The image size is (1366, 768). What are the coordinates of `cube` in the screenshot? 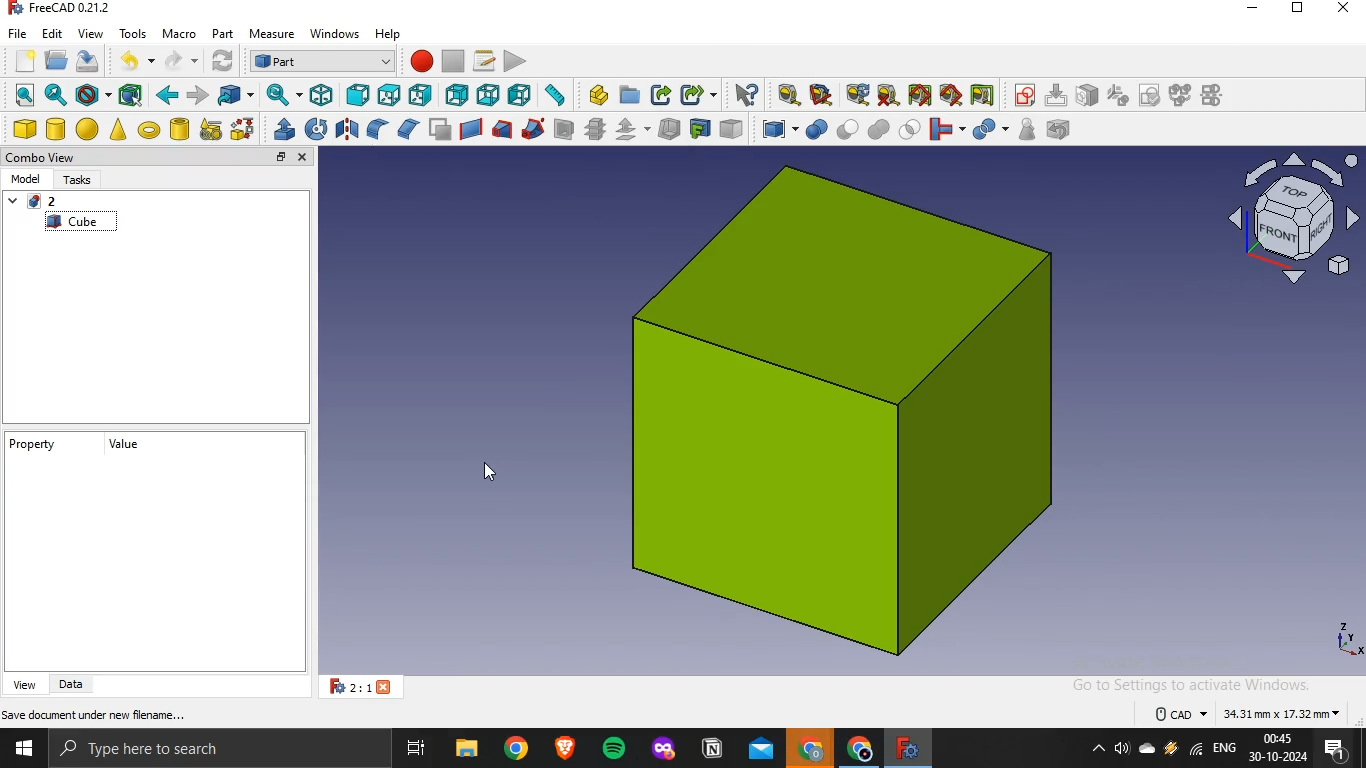 It's located at (22, 127).